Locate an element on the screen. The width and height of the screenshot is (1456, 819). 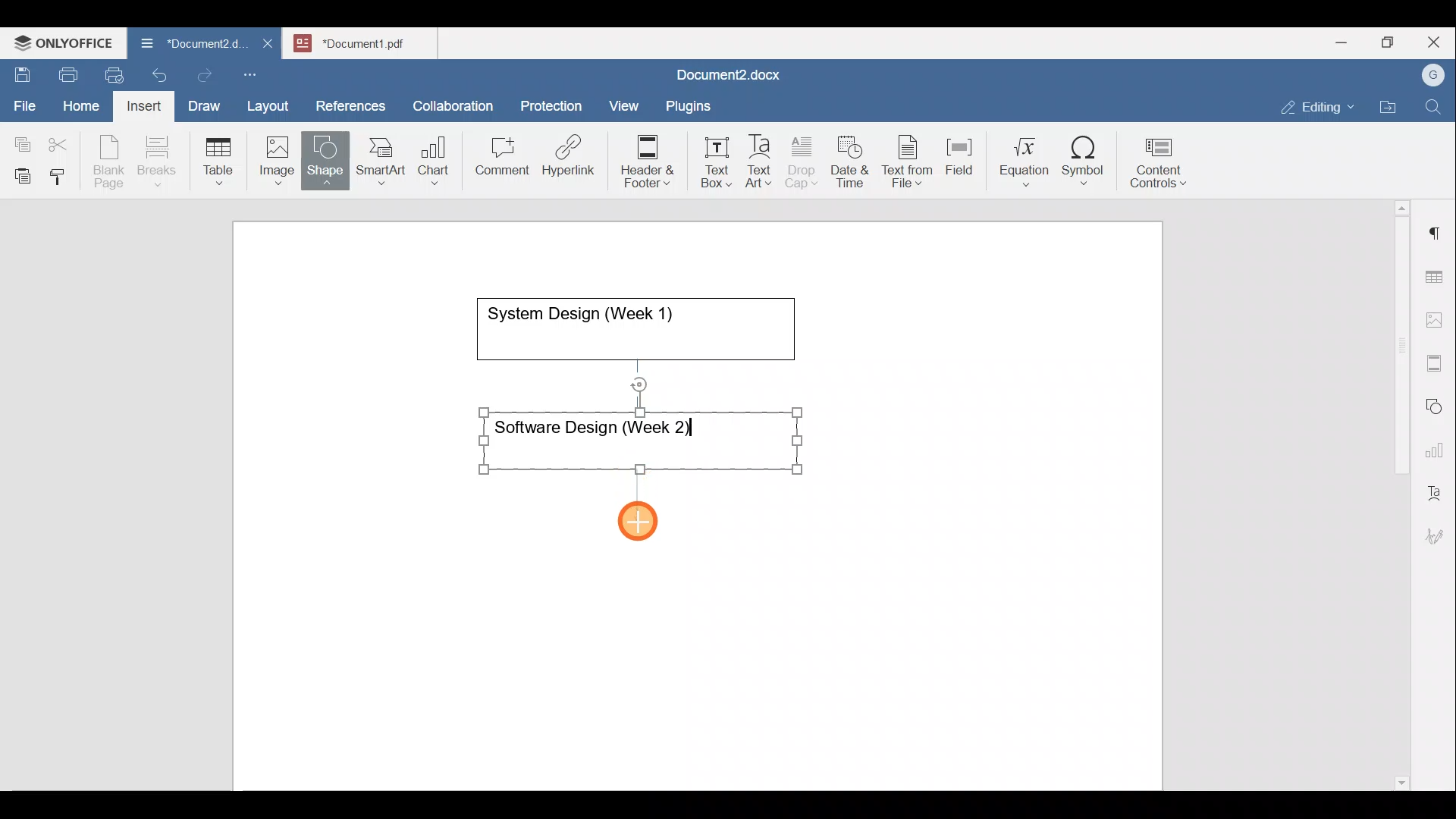
Draw is located at coordinates (202, 102).